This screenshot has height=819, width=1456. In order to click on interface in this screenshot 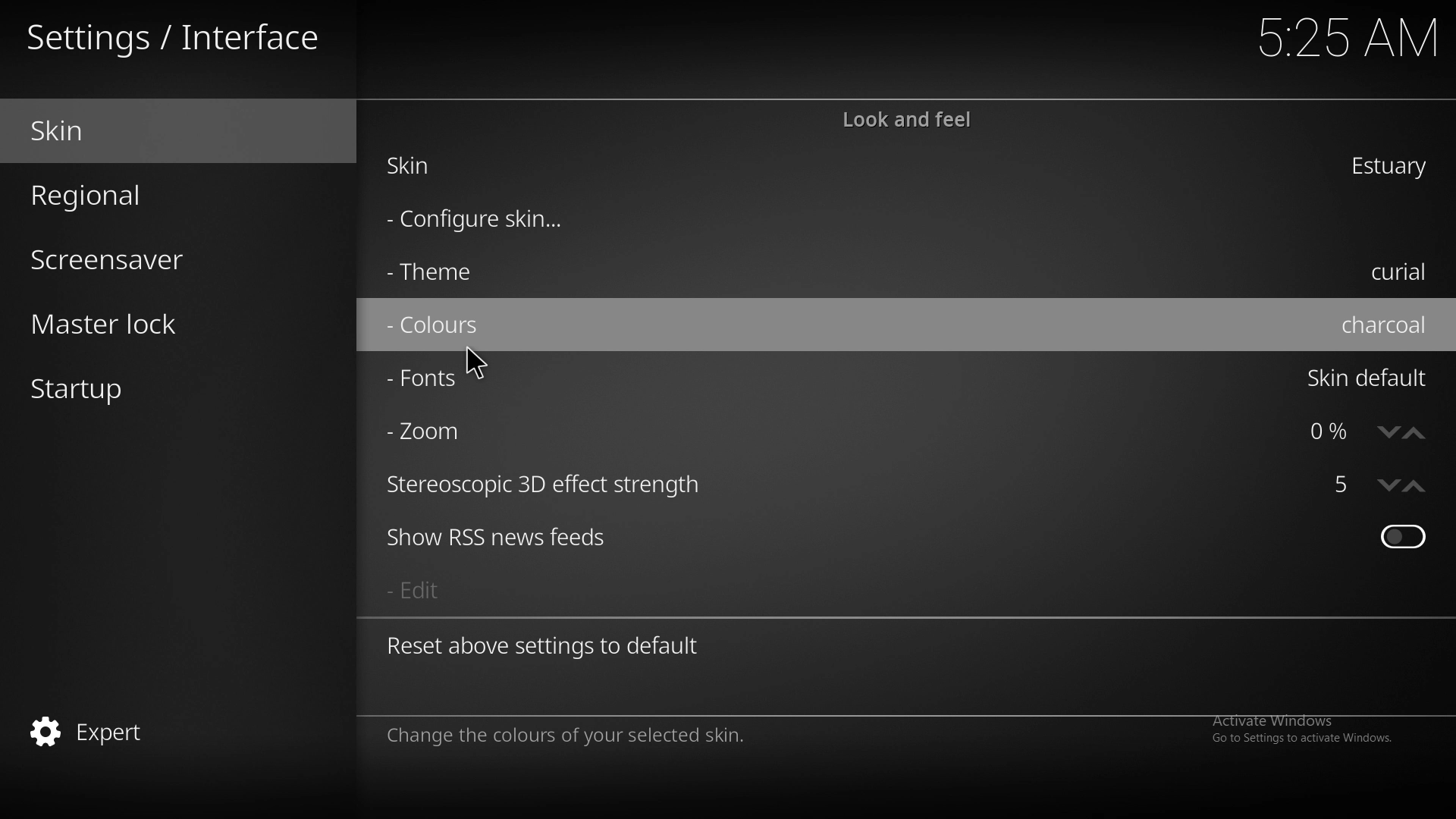, I will do `click(177, 33)`.